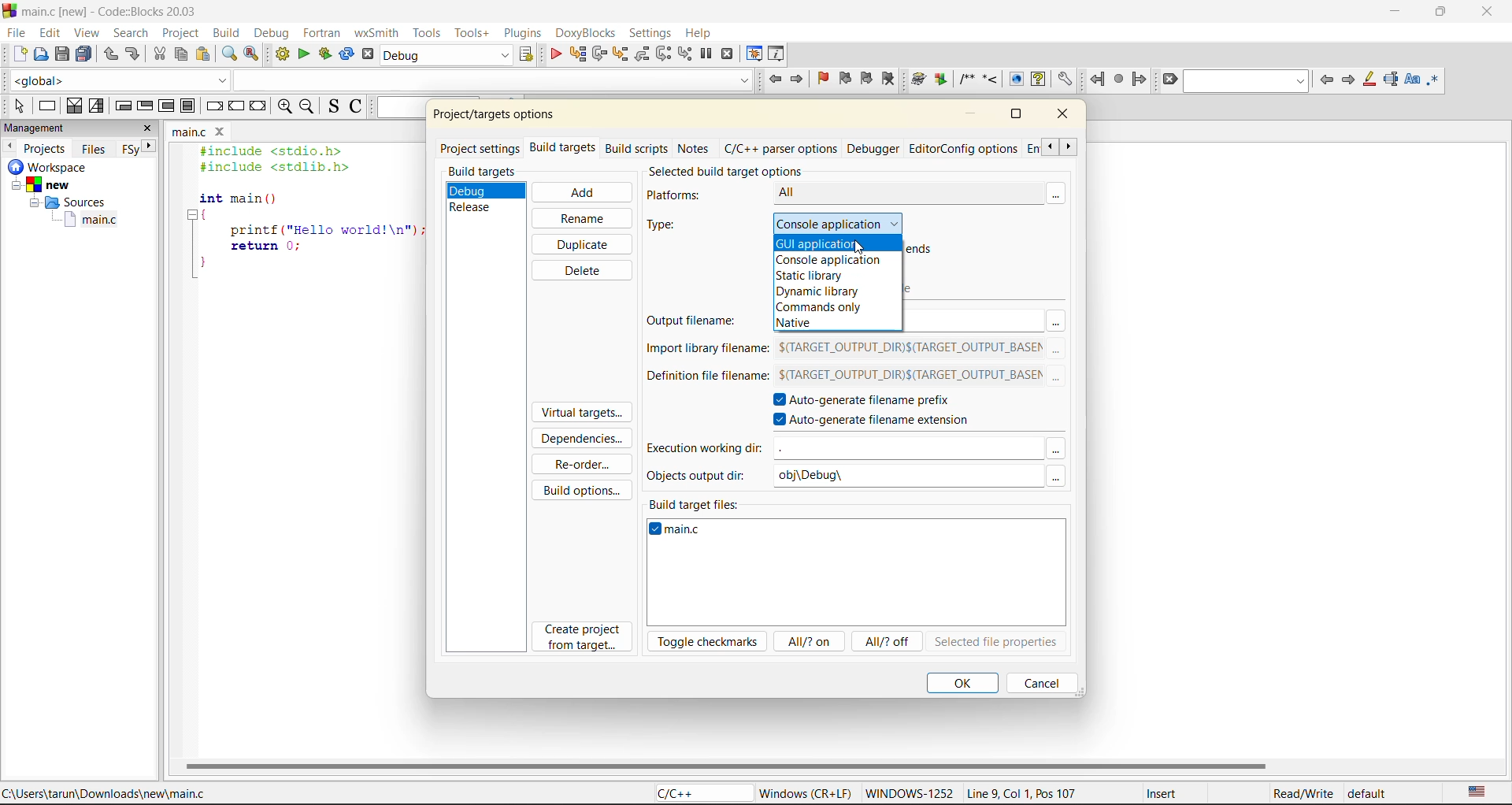 The height and width of the screenshot is (805, 1512). What do you see at coordinates (989, 79) in the screenshot?
I see `Insert a line comment at the current cursor position` at bounding box center [989, 79].